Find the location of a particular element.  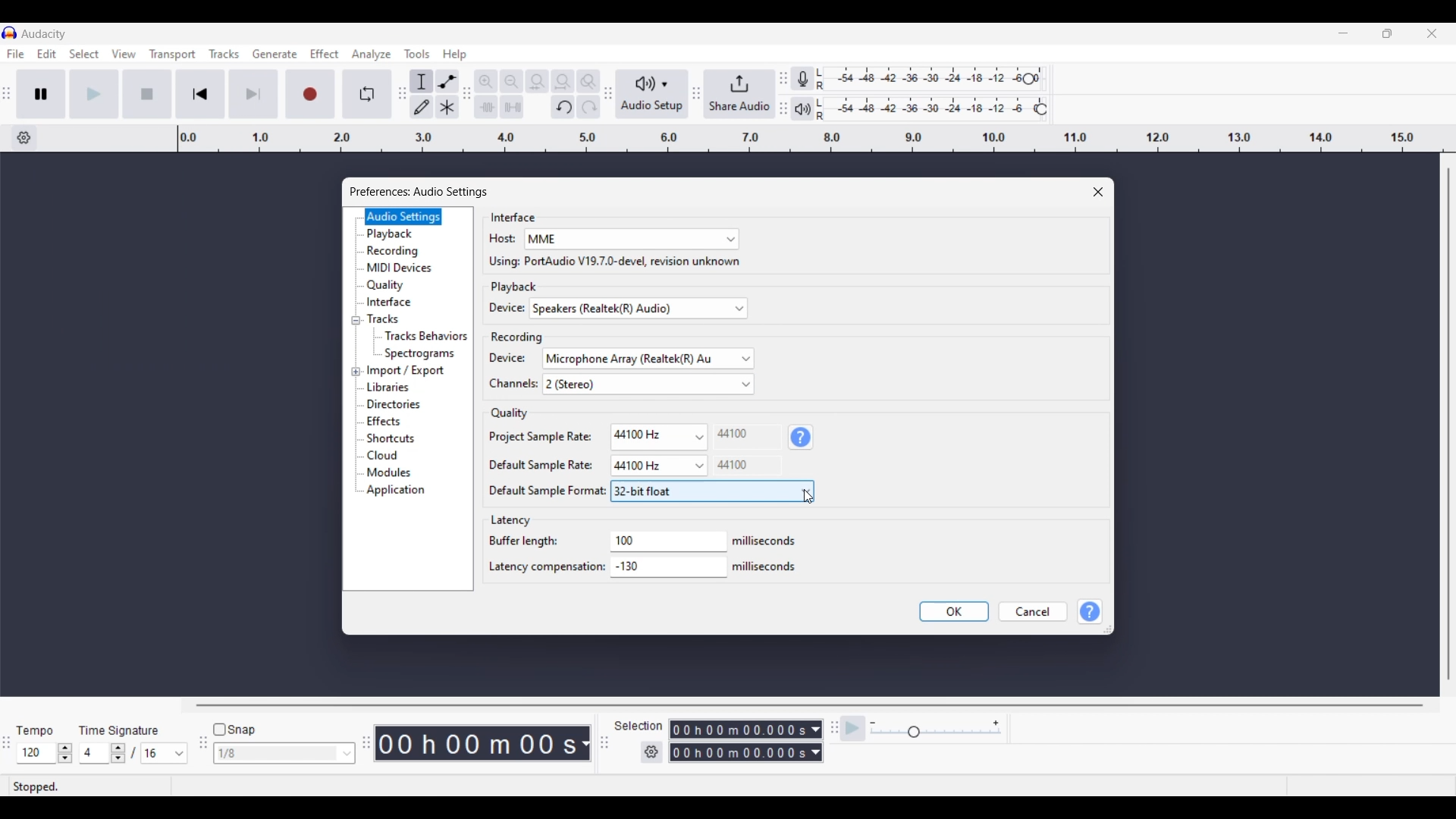

Audio settings, current selection is located at coordinates (403, 216).